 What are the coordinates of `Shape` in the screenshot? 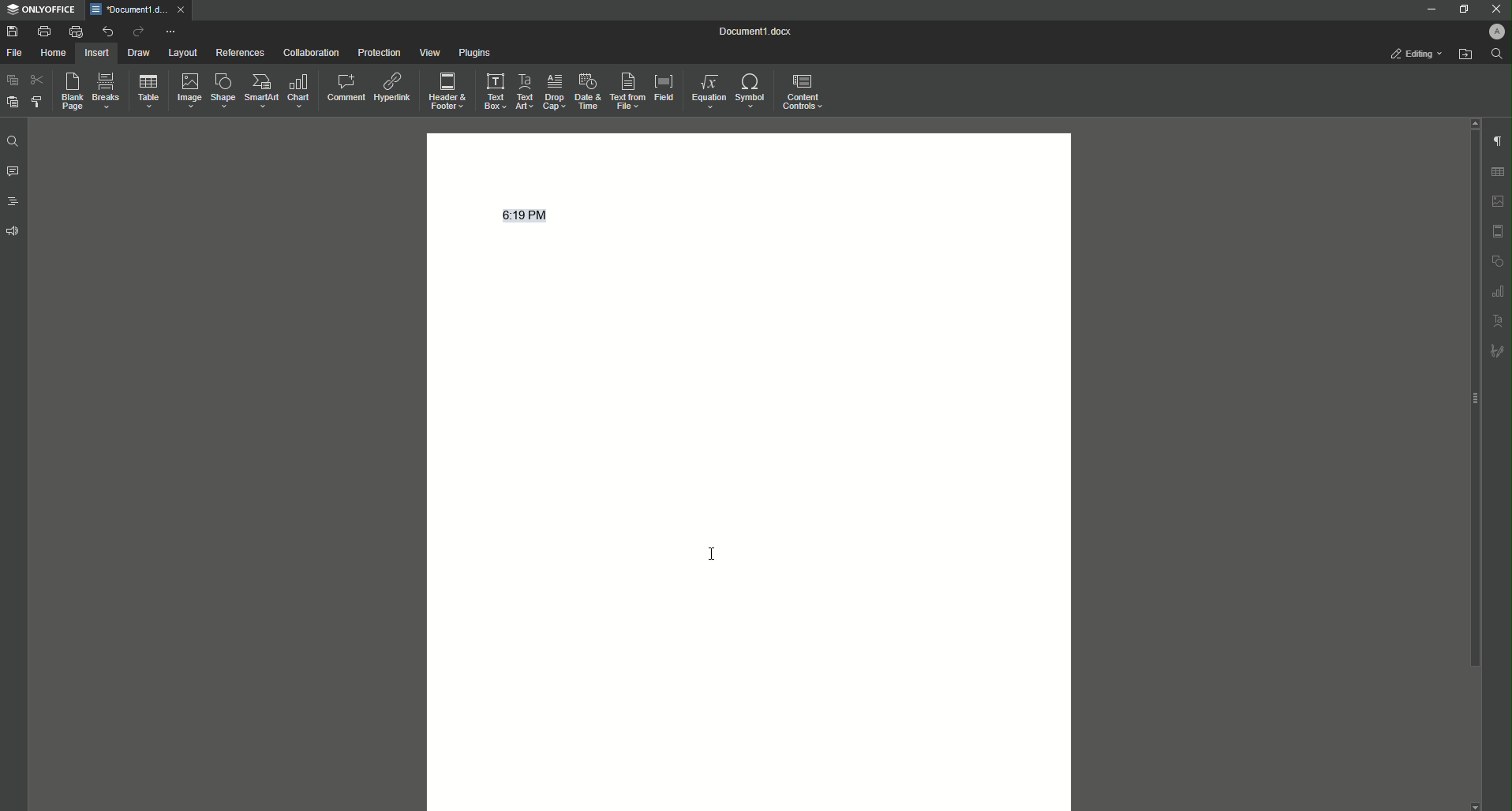 It's located at (220, 91).